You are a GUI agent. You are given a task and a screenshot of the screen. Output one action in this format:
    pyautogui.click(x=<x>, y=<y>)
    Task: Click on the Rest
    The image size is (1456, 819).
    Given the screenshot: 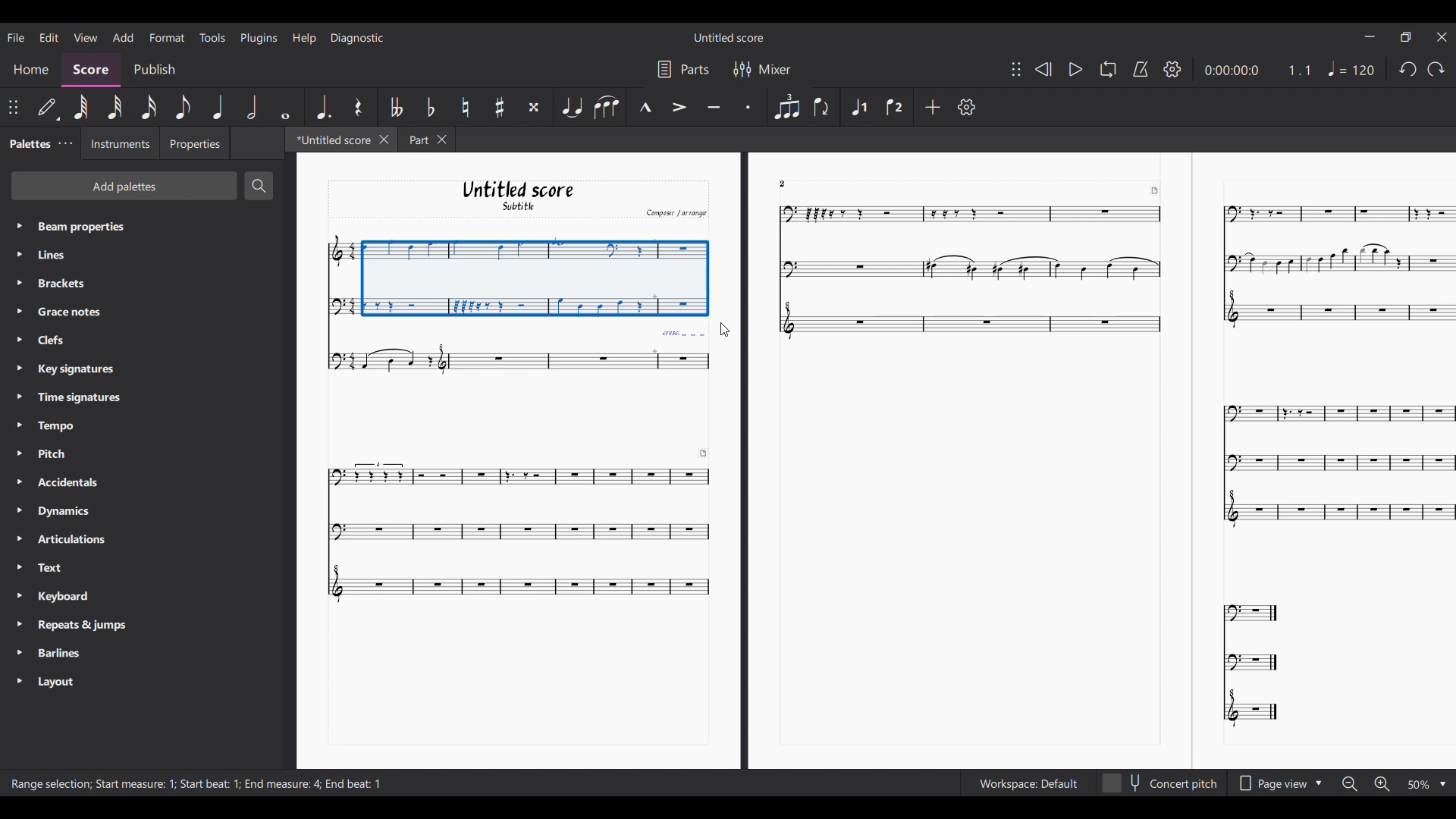 What is the action you would take?
    pyautogui.click(x=358, y=106)
    